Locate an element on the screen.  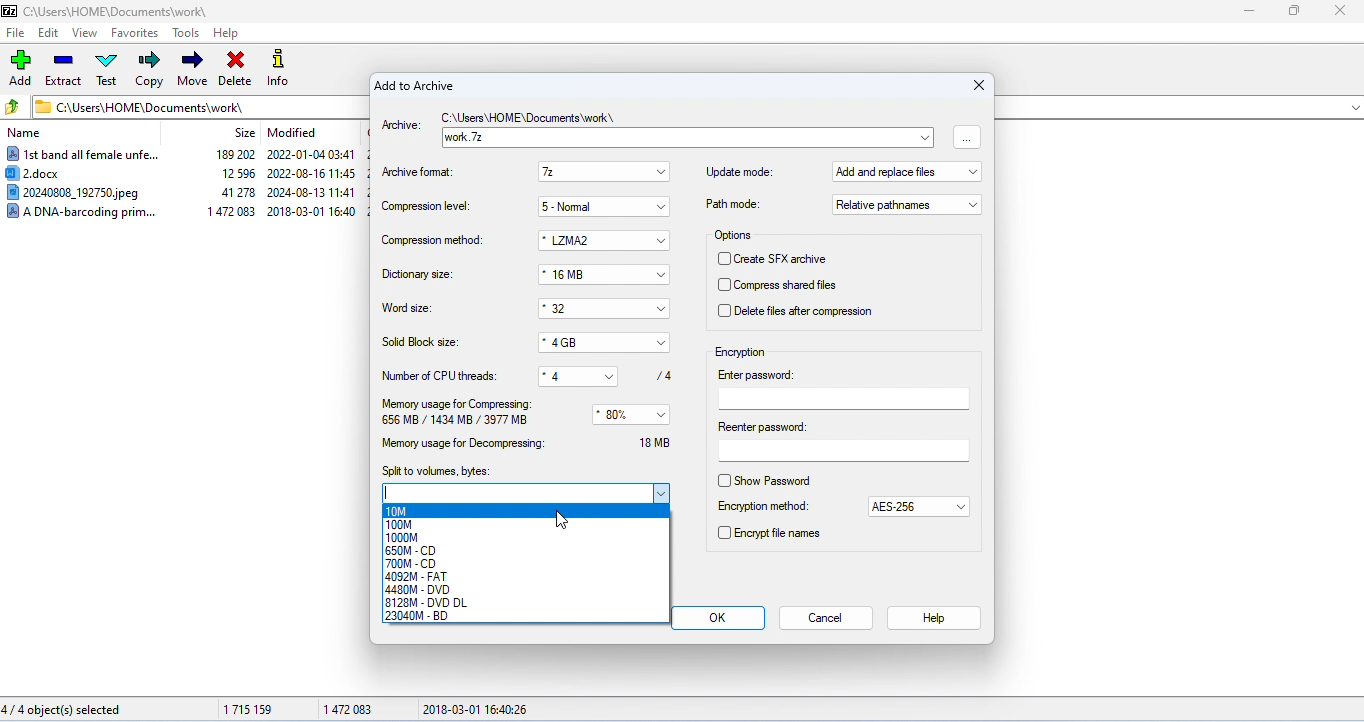
view is located at coordinates (84, 33).